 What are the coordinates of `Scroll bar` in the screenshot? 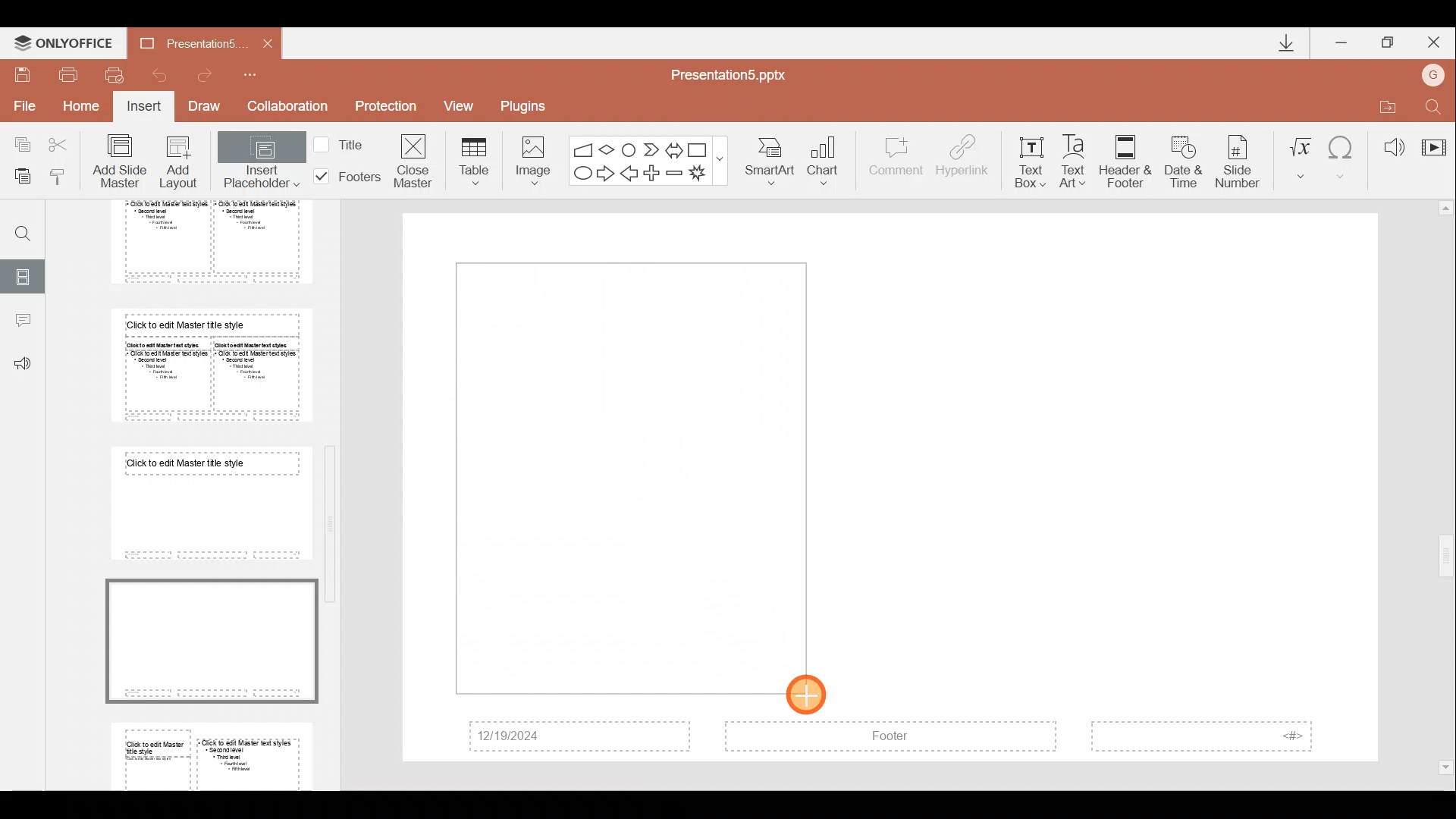 It's located at (334, 485).